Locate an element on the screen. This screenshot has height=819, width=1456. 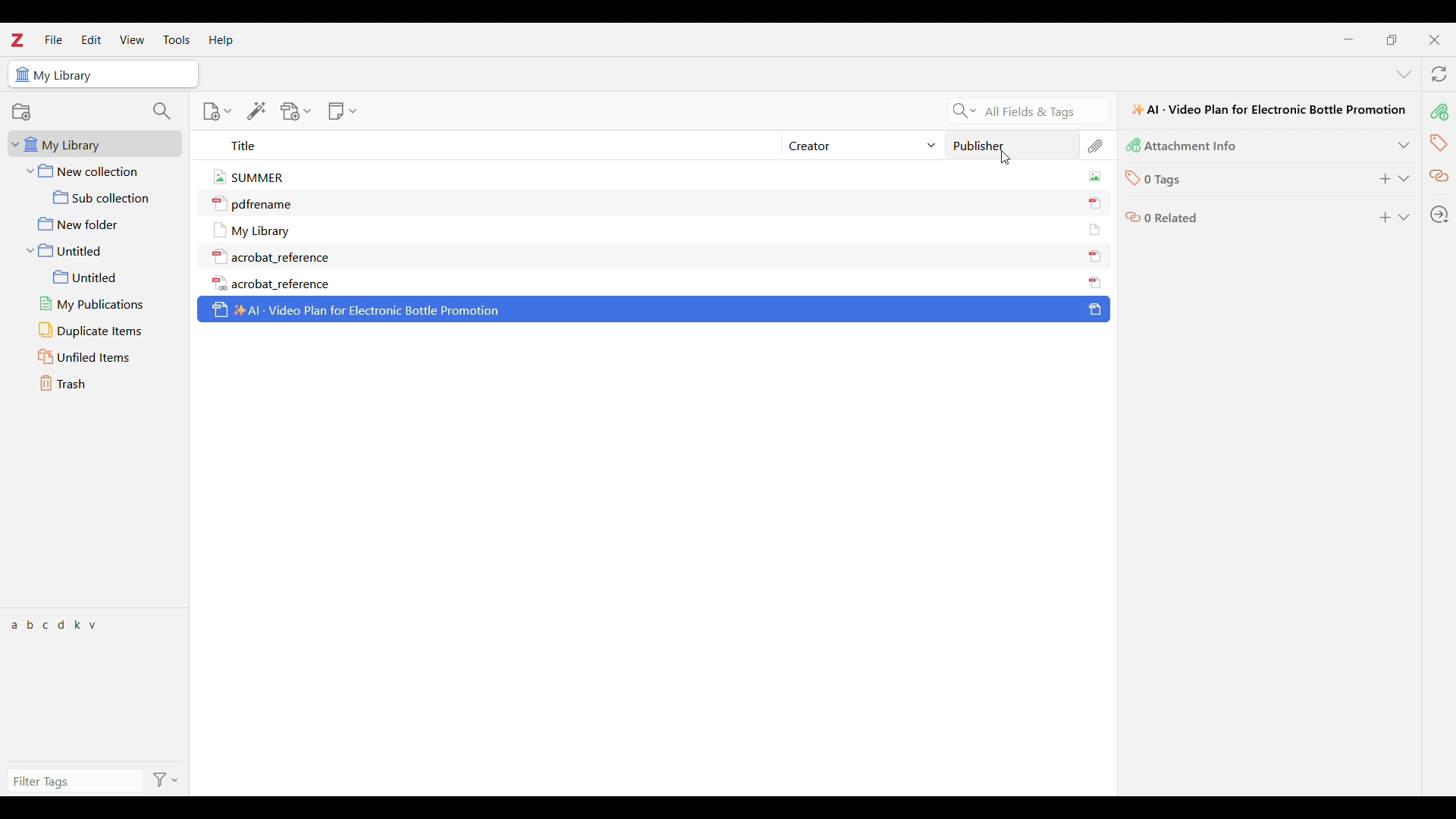
Tags is located at coordinates (1437, 143).